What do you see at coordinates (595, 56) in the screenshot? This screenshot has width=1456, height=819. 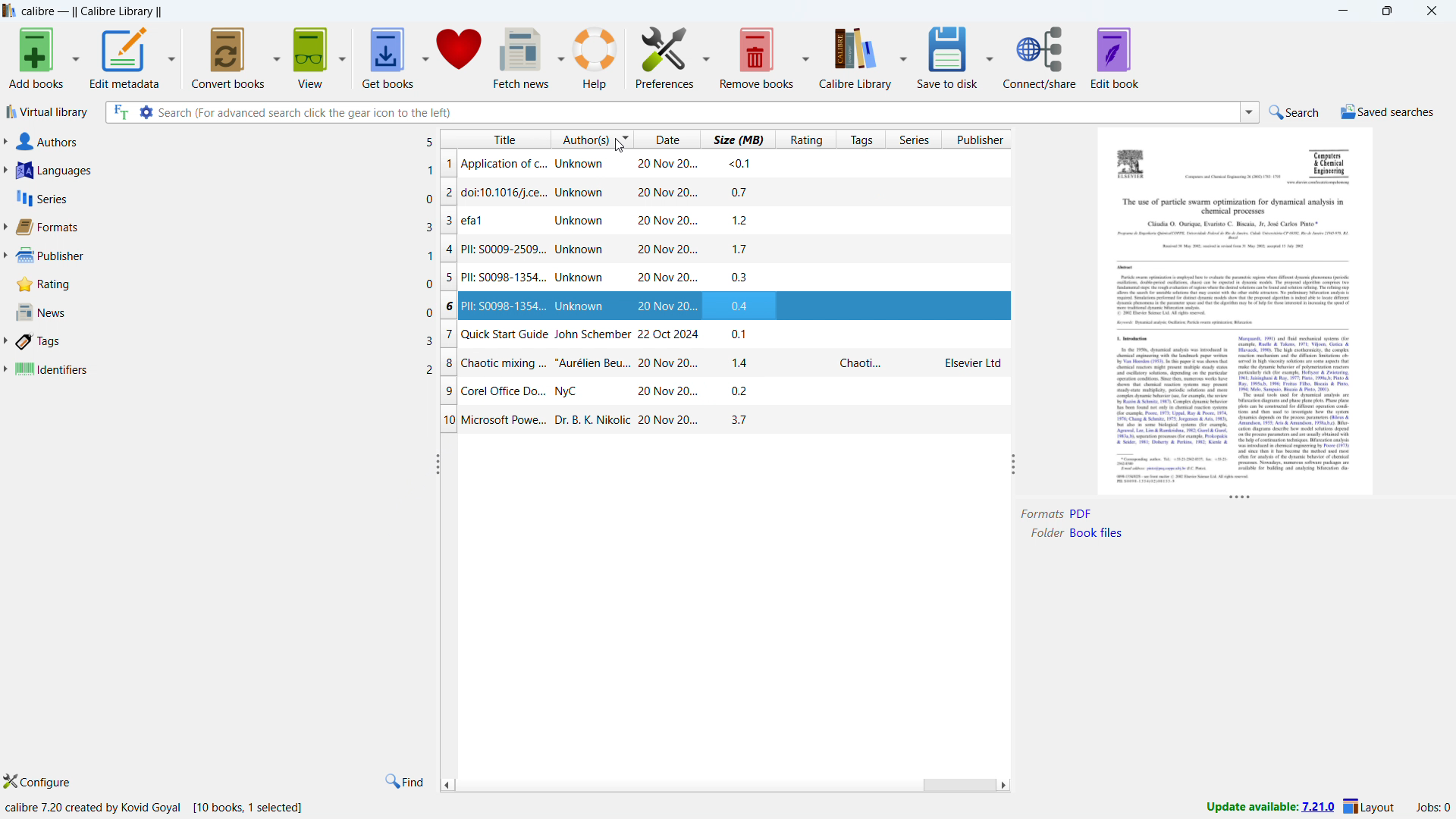 I see `help` at bounding box center [595, 56].